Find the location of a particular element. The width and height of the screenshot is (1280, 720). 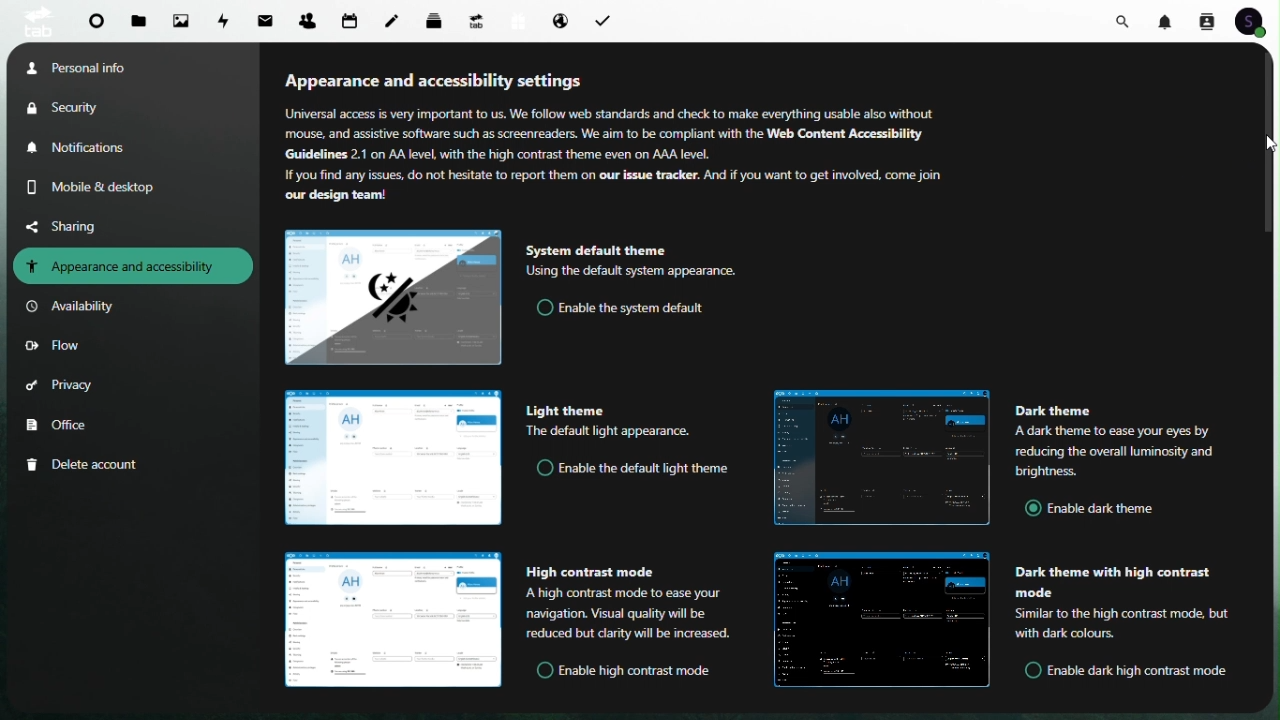

availability is located at coordinates (75, 307).